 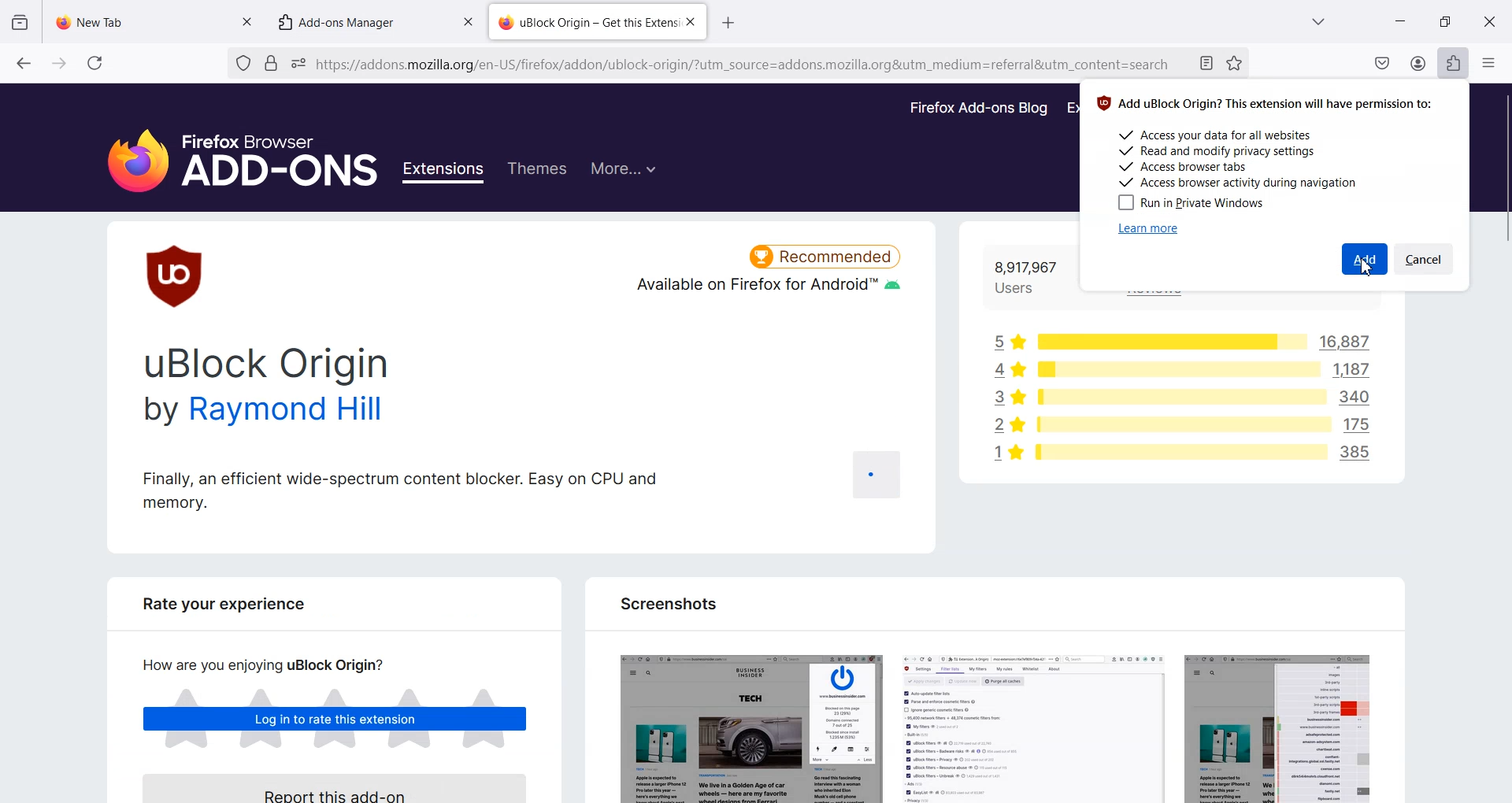 What do you see at coordinates (825, 253) in the screenshot?
I see `Recommended` at bounding box center [825, 253].